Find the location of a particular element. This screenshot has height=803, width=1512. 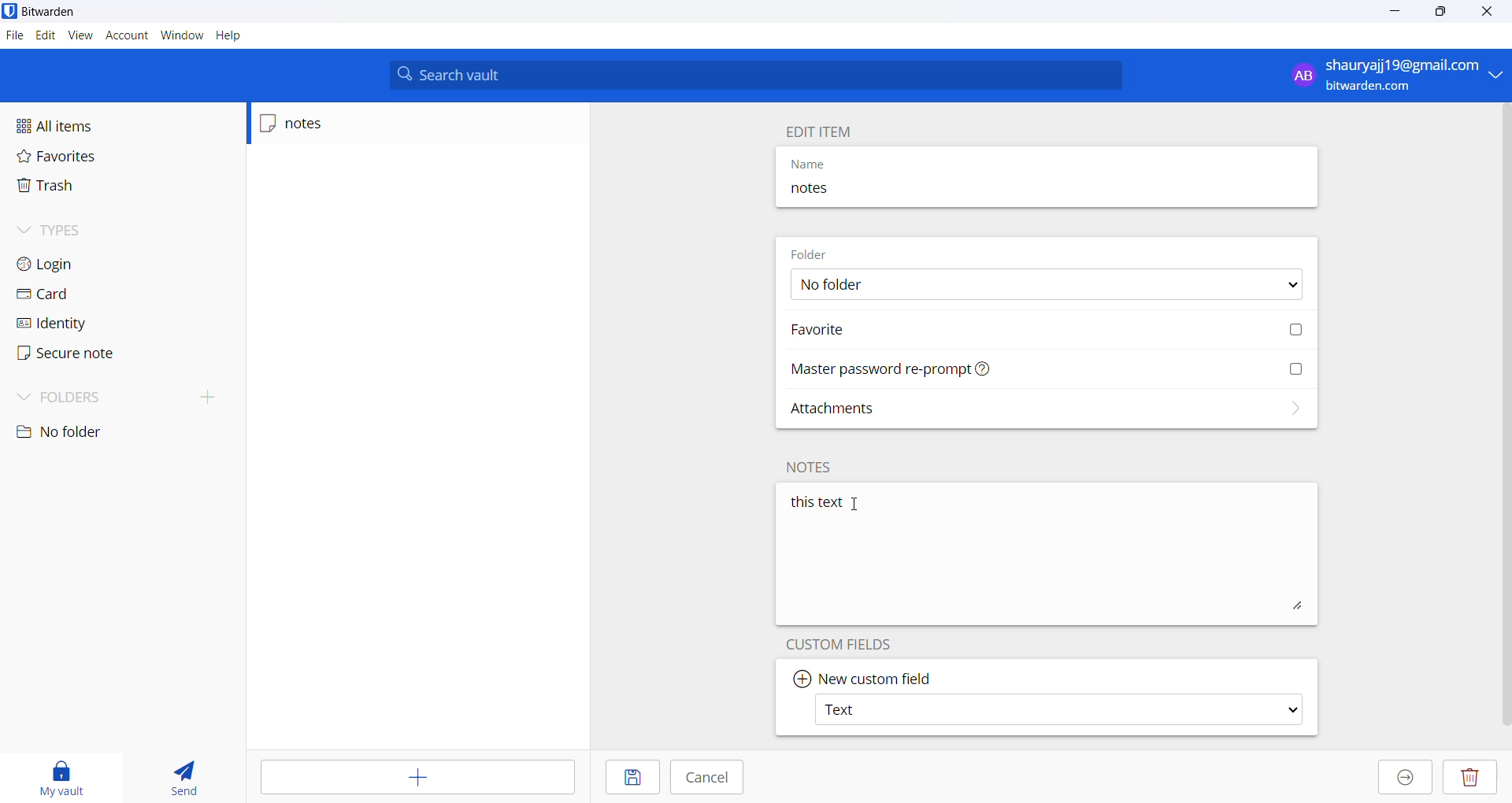

all items is located at coordinates (82, 126).